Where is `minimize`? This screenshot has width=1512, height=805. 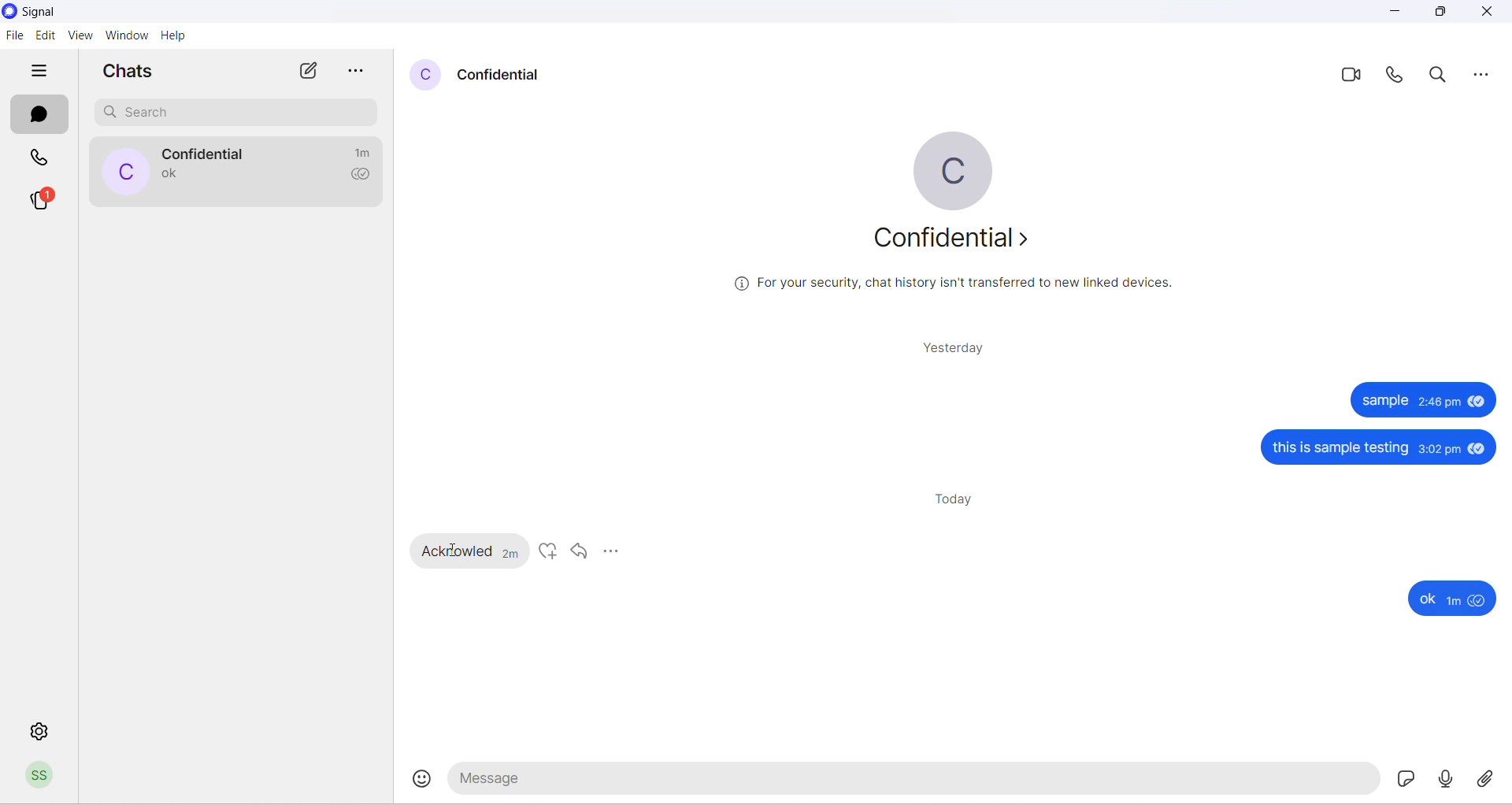
minimize is located at coordinates (1393, 13).